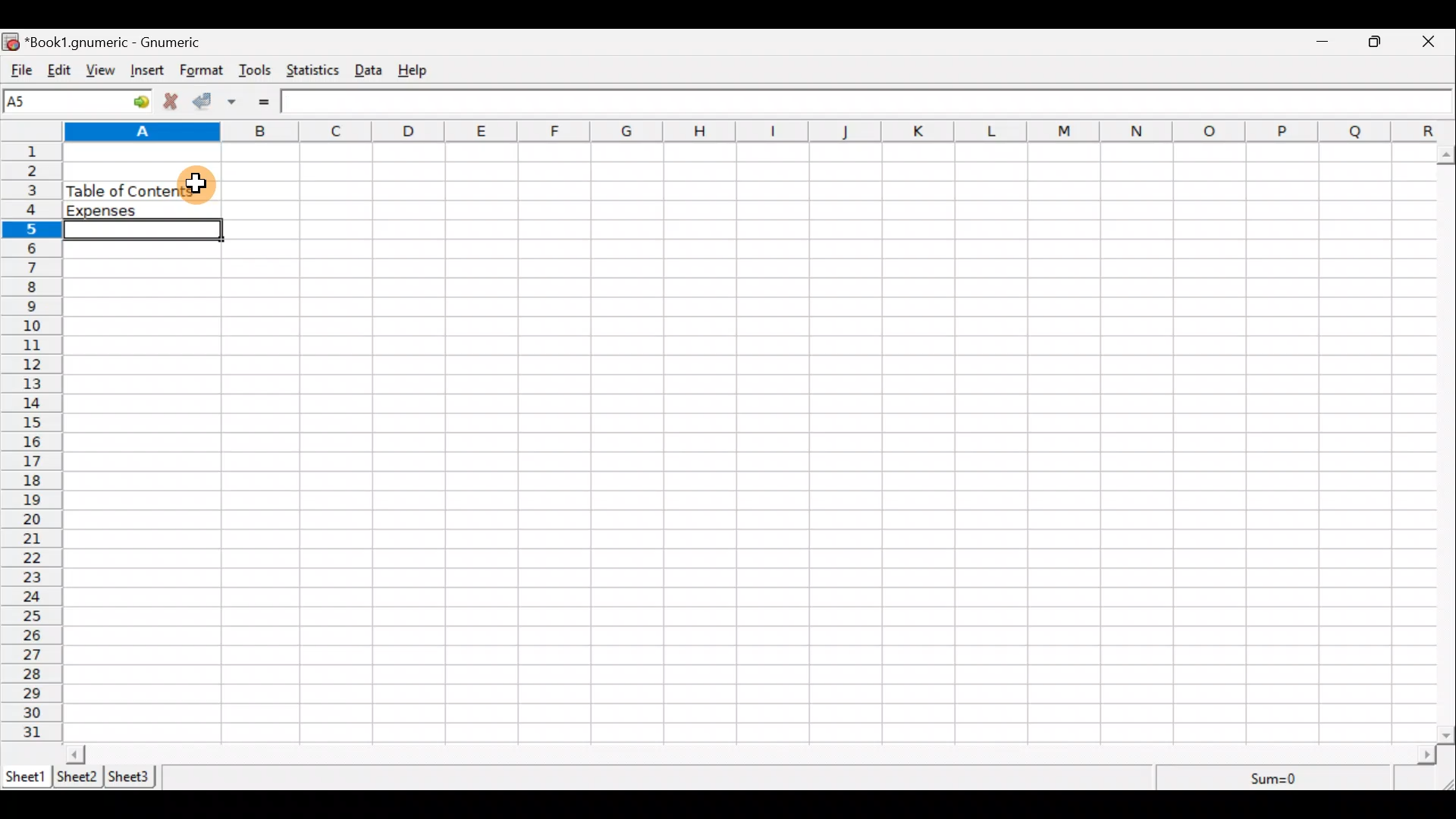 The width and height of the screenshot is (1456, 819). I want to click on Selected cell, so click(147, 231).